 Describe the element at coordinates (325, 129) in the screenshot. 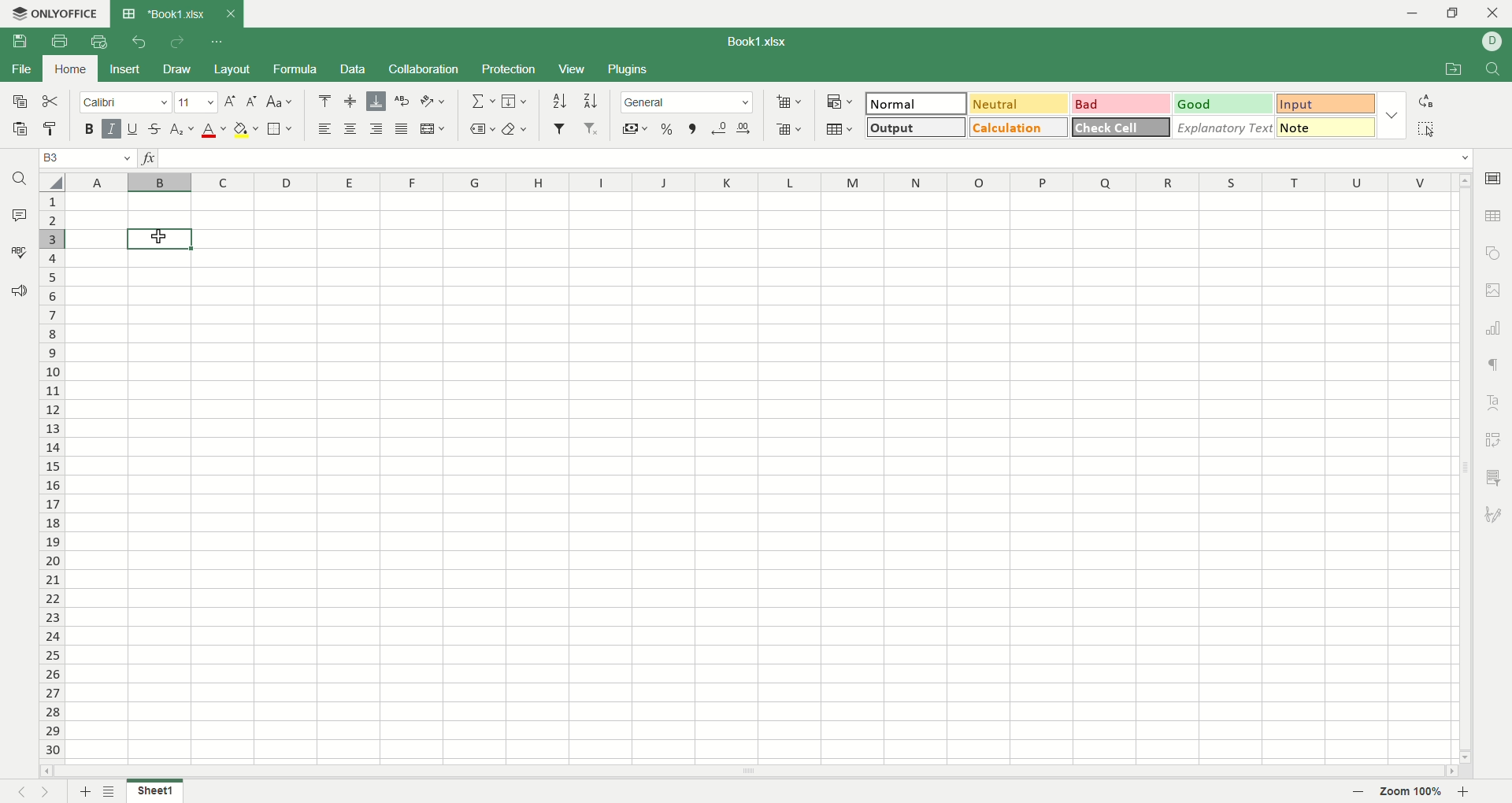

I see `align left` at that location.